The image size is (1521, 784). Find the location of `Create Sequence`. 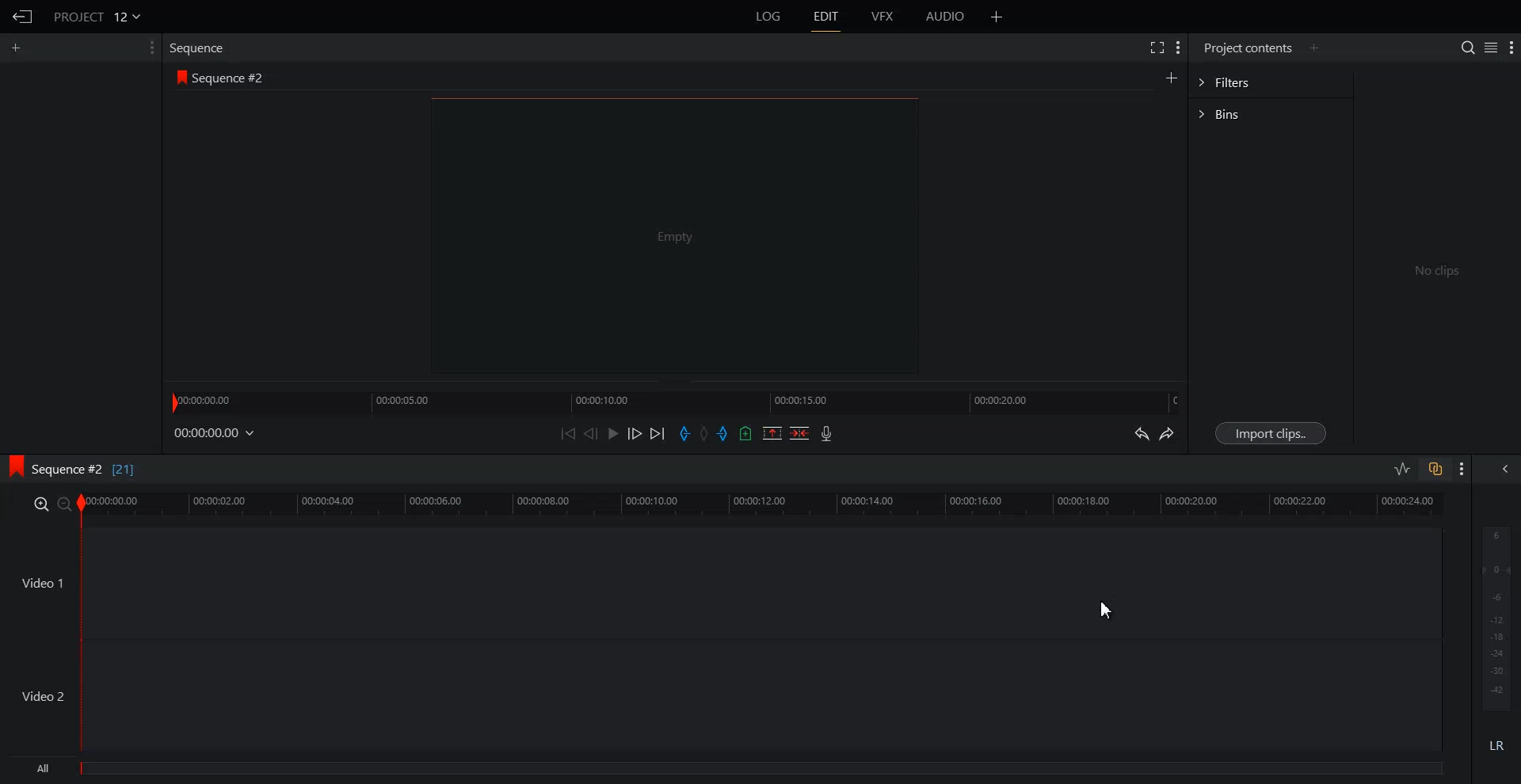

Create Sequence is located at coordinates (1170, 78).